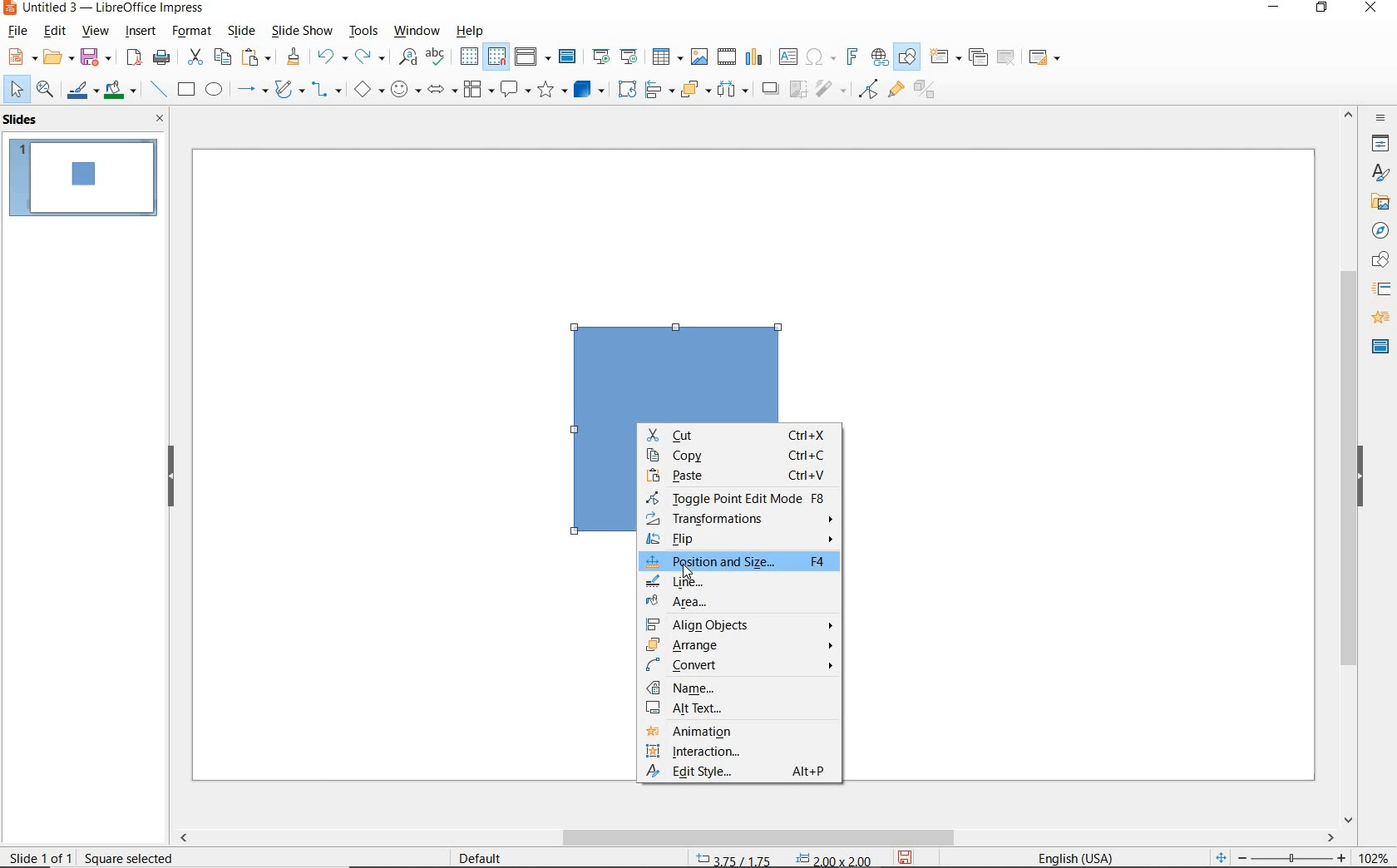 This screenshot has height=868, width=1397. I want to click on edit, so click(55, 32).